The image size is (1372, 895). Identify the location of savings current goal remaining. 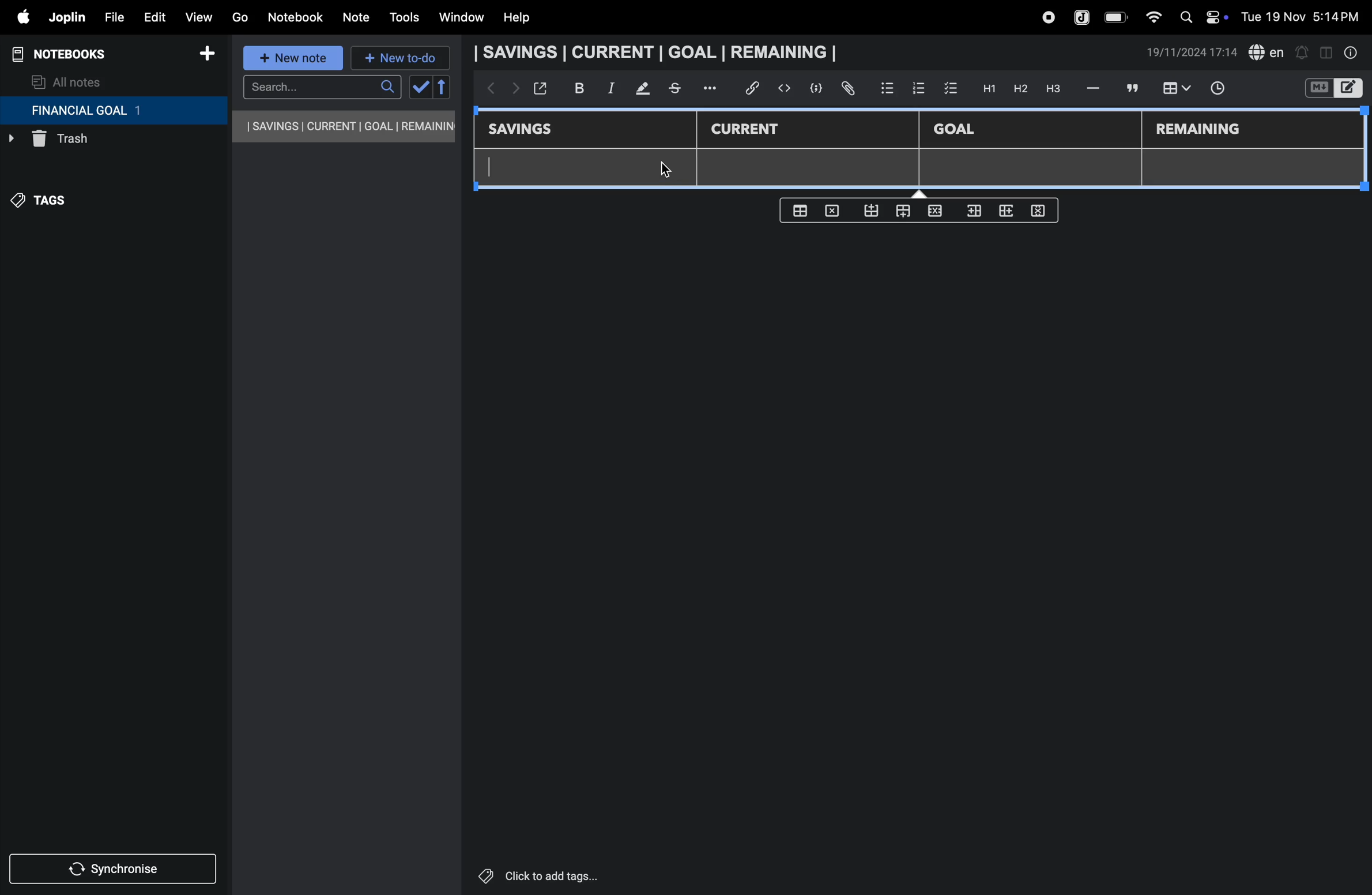
(345, 126).